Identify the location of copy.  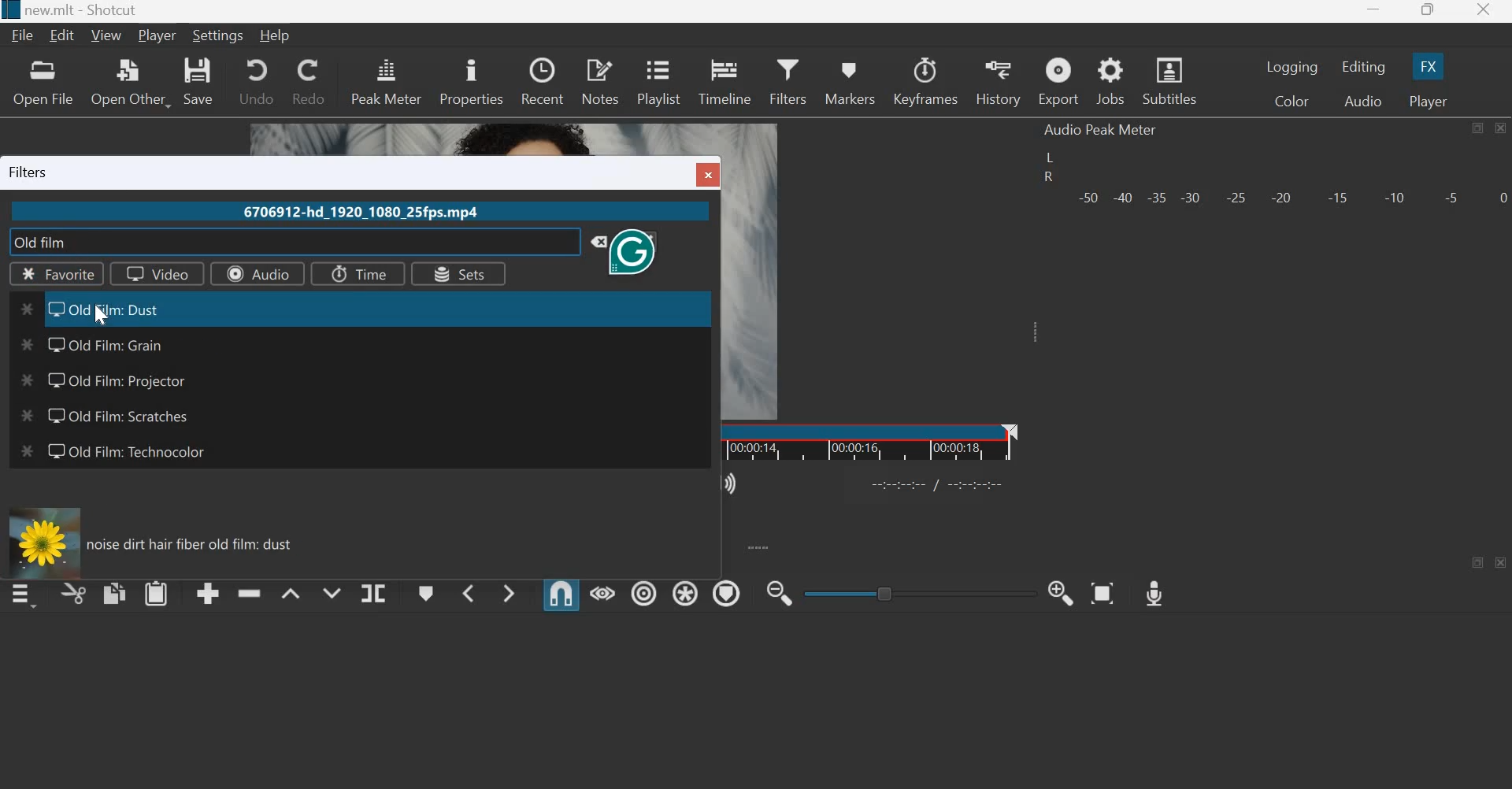
(115, 592).